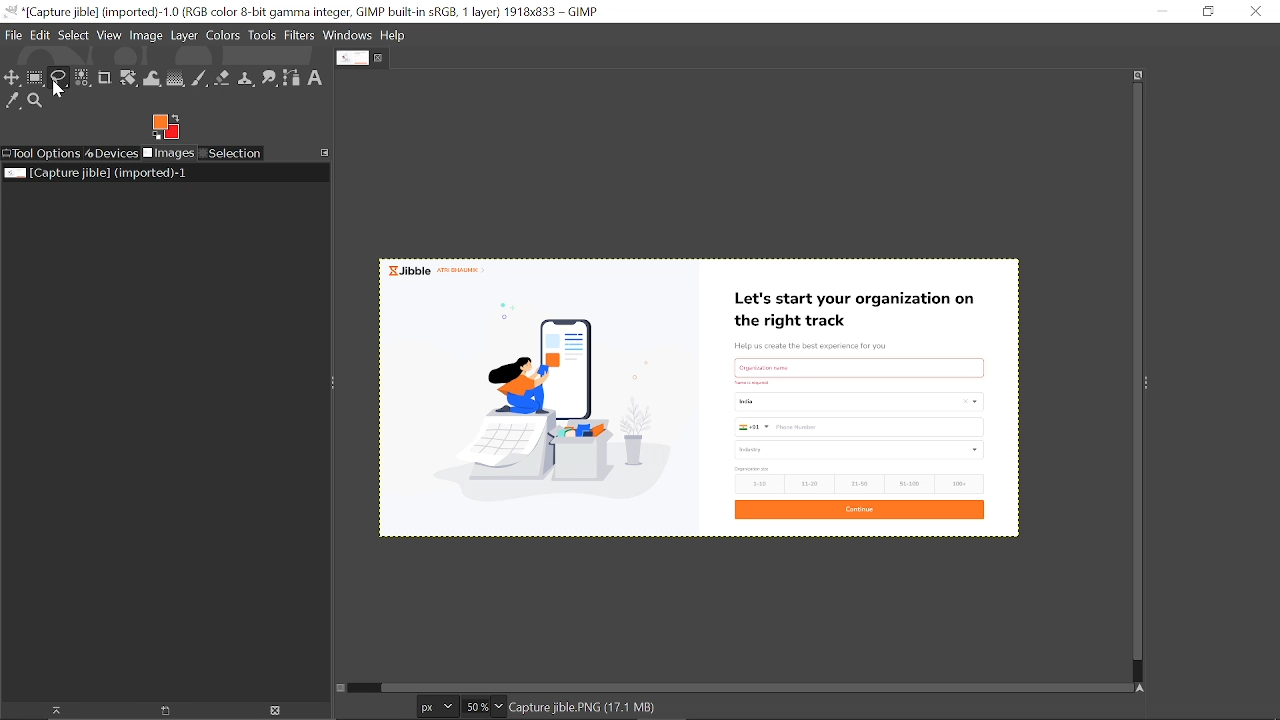  What do you see at coordinates (474, 706) in the screenshot?
I see `Current zoom` at bounding box center [474, 706].